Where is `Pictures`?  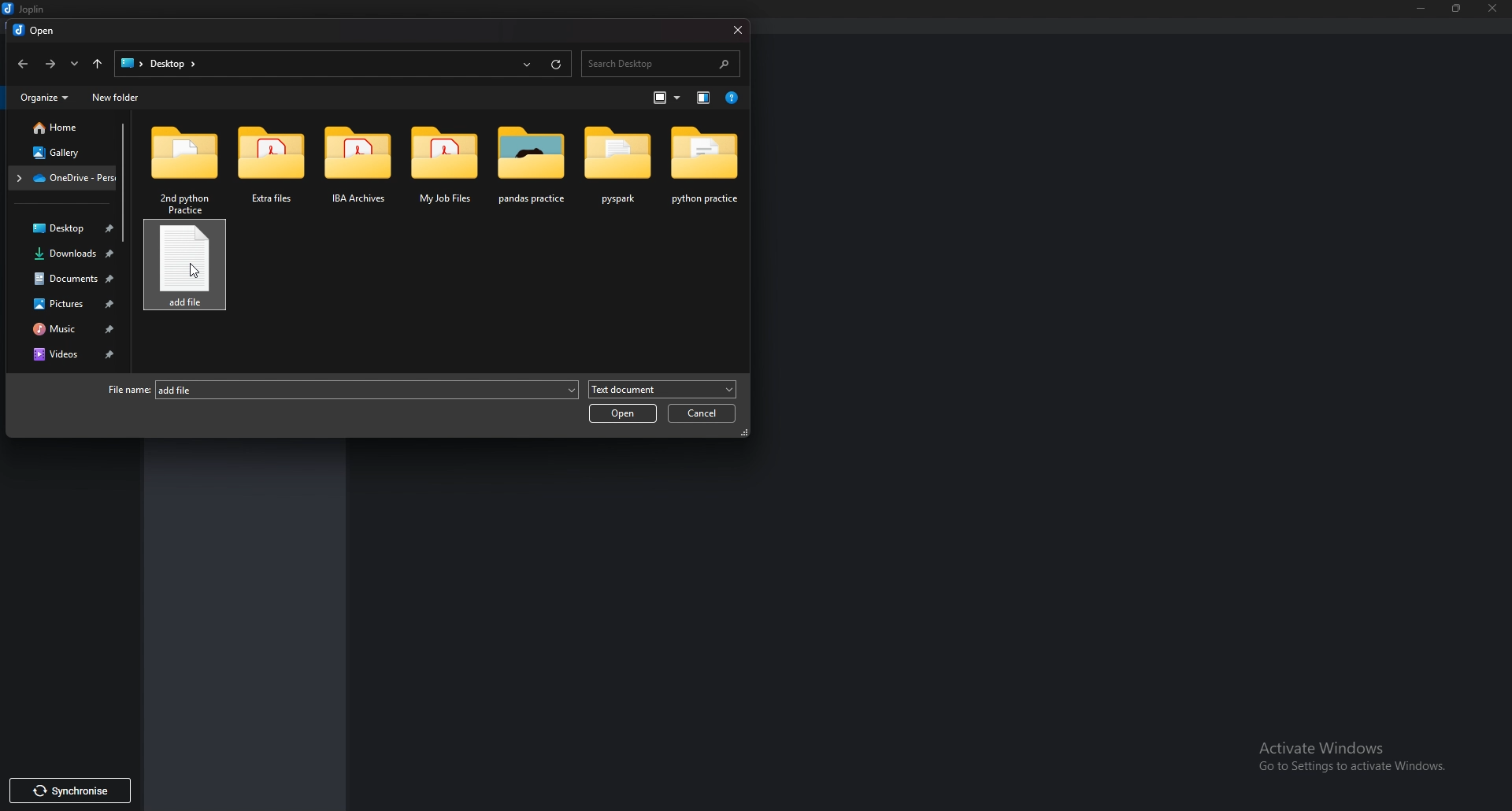 Pictures is located at coordinates (72, 304).